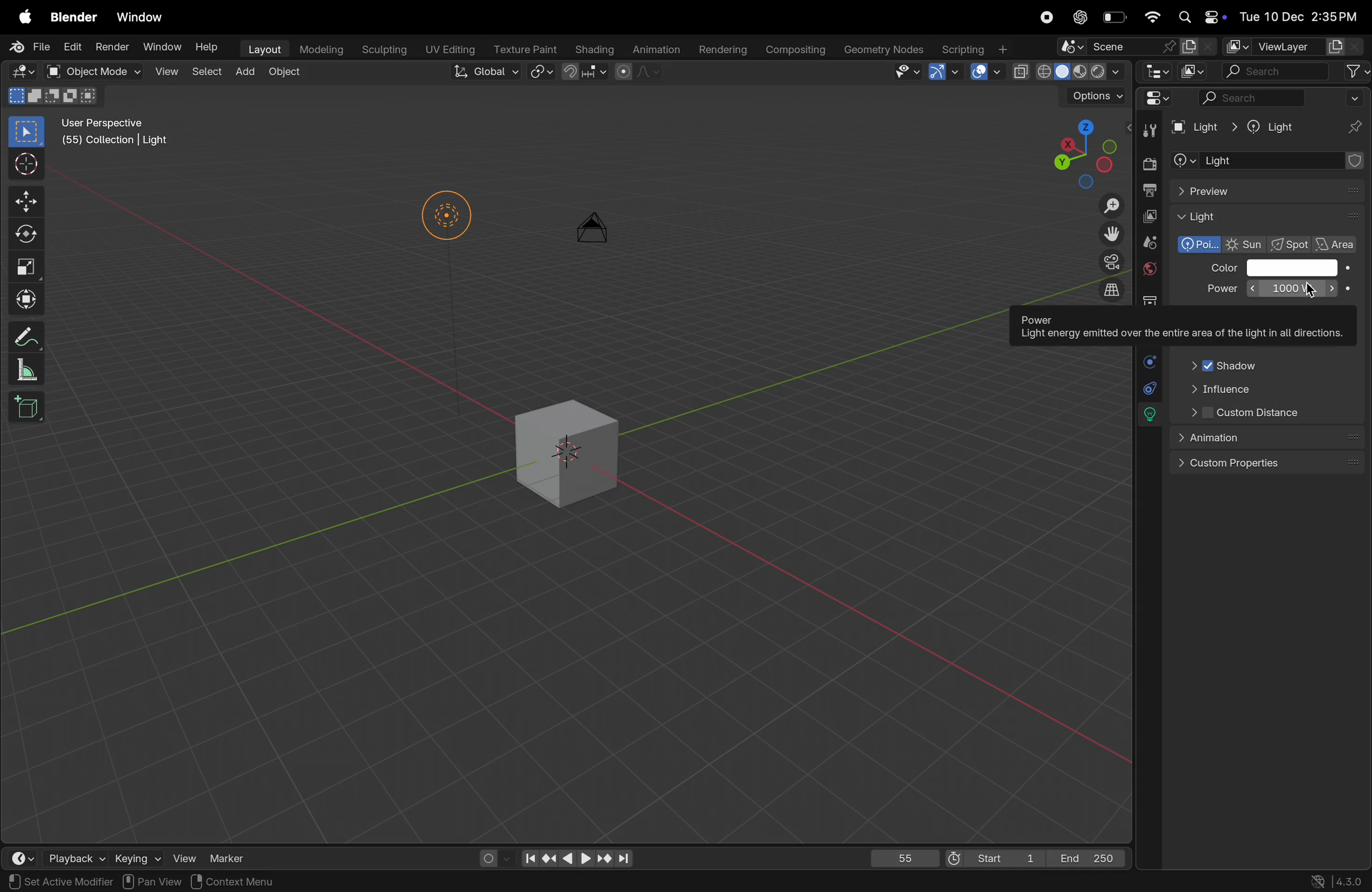 The height and width of the screenshot is (892, 1372). Describe the element at coordinates (1266, 161) in the screenshot. I see `light` at that location.